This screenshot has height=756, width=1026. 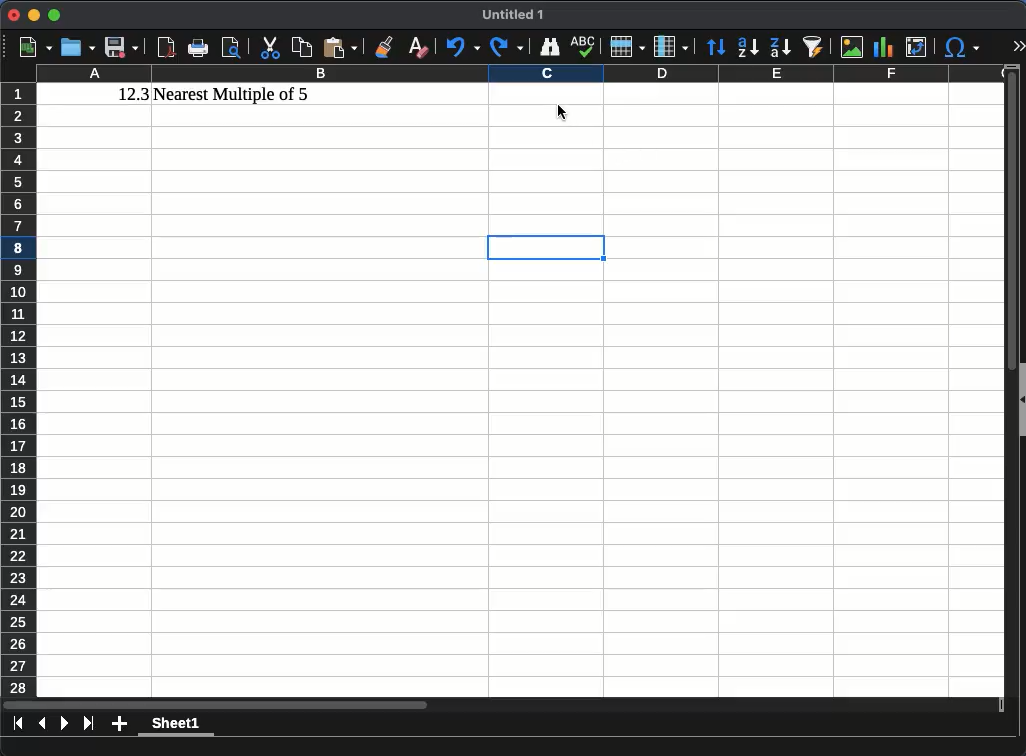 I want to click on untitled 1, so click(x=513, y=15).